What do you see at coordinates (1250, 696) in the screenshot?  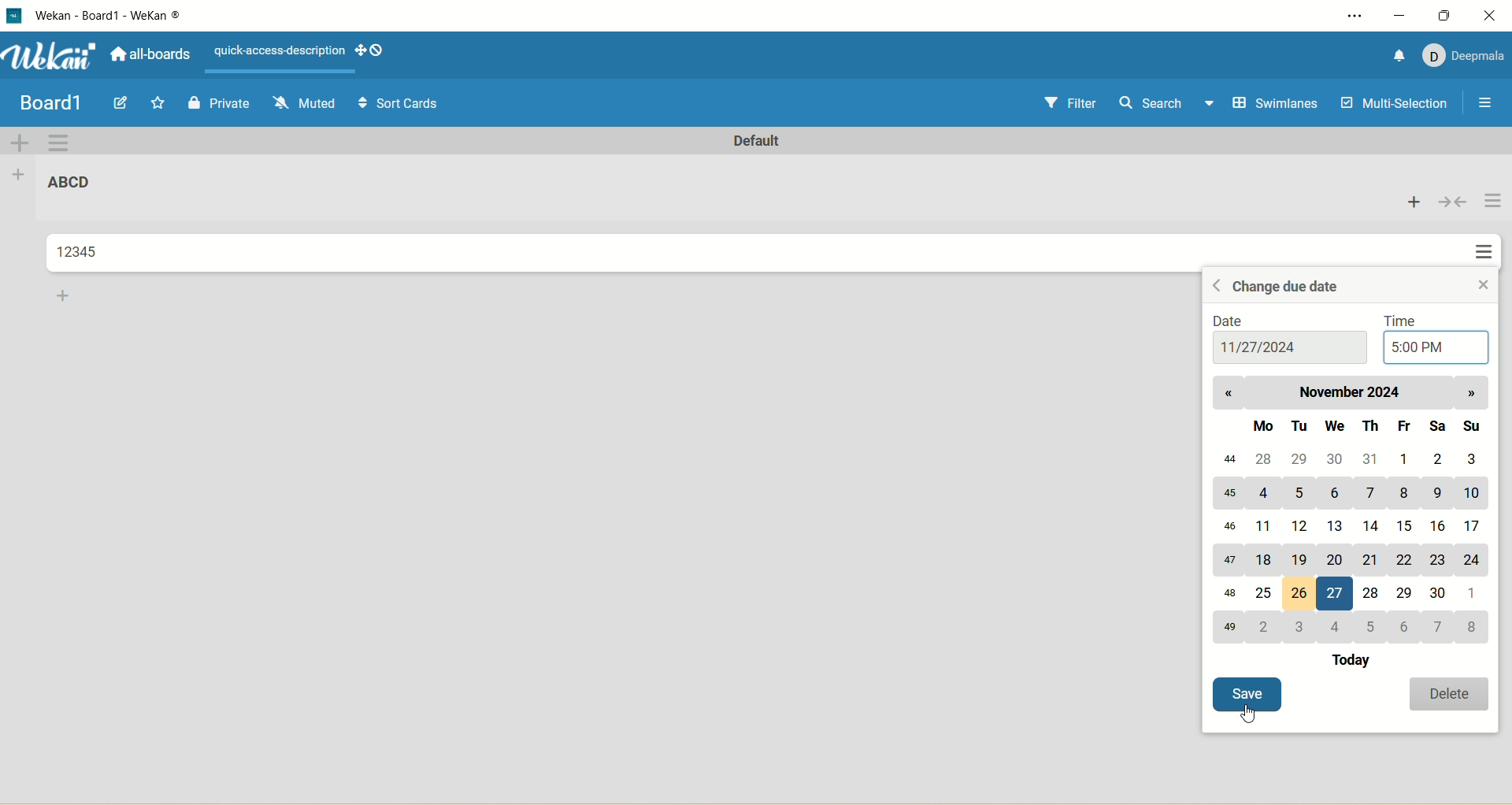 I see `save` at bounding box center [1250, 696].